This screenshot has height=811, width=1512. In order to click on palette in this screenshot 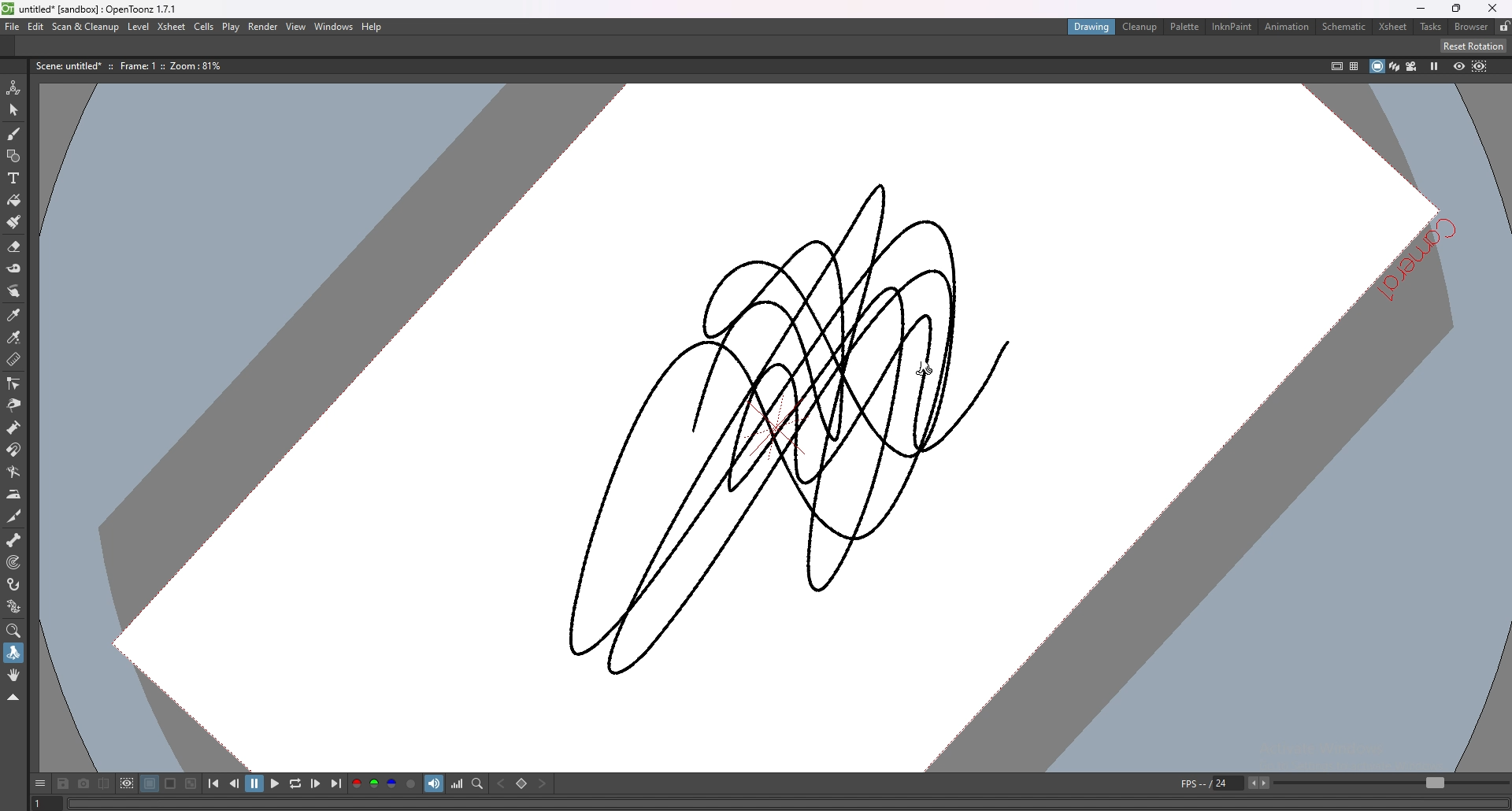, I will do `click(1185, 28)`.